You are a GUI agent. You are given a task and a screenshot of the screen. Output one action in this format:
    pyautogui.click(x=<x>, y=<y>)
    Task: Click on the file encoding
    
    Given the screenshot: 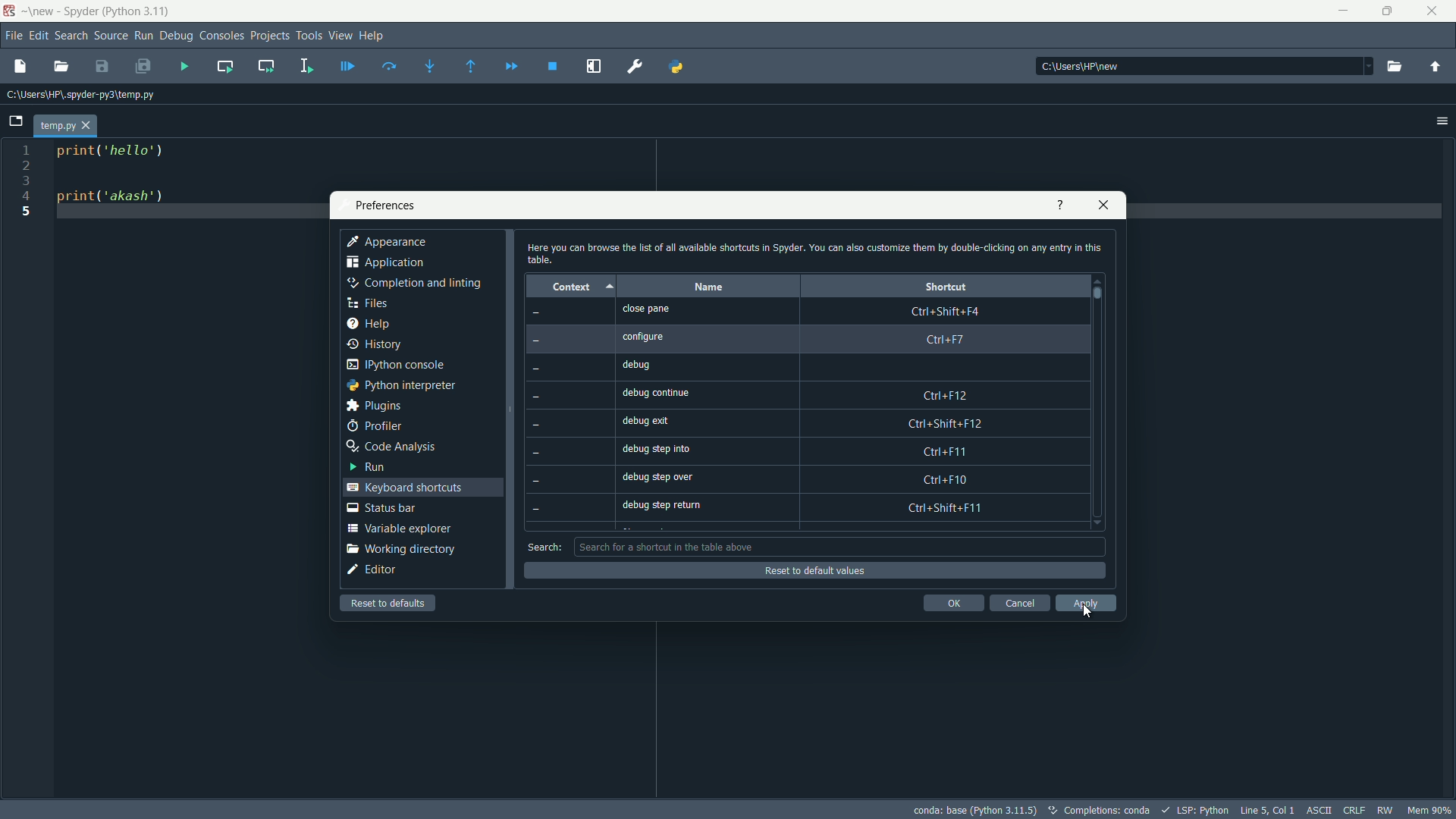 What is the action you would take?
    pyautogui.click(x=1320, y=810)
    